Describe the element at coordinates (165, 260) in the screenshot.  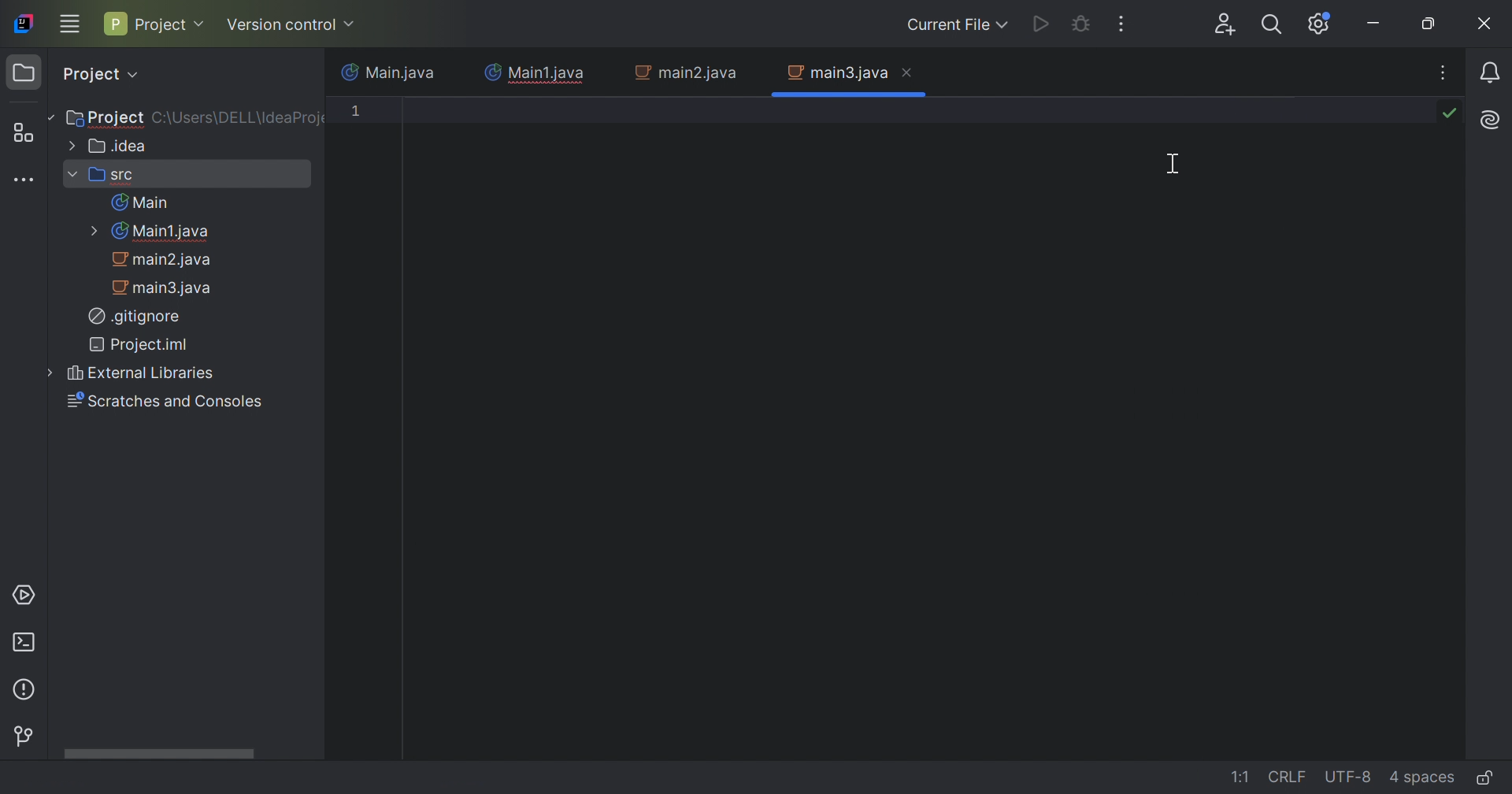
I see `main2.java` at that location.